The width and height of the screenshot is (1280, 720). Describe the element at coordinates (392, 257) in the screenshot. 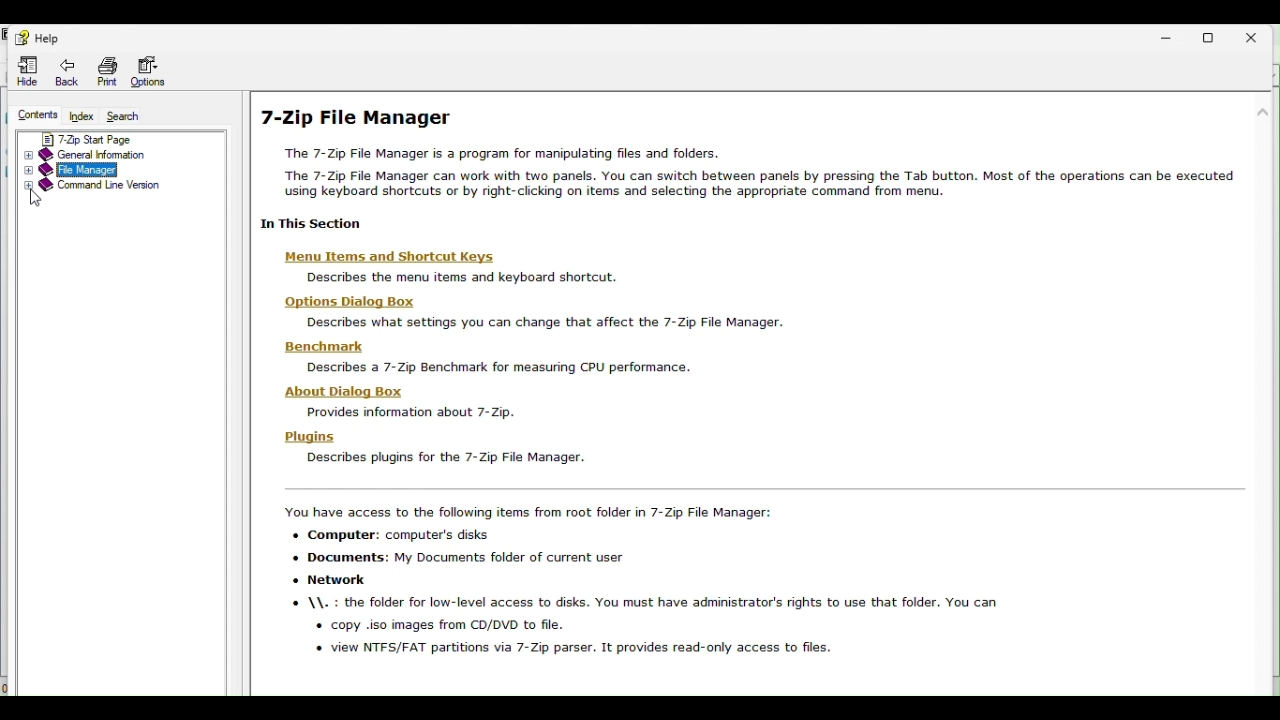

I see `Menu Items and Shortcut Keys` at that location.